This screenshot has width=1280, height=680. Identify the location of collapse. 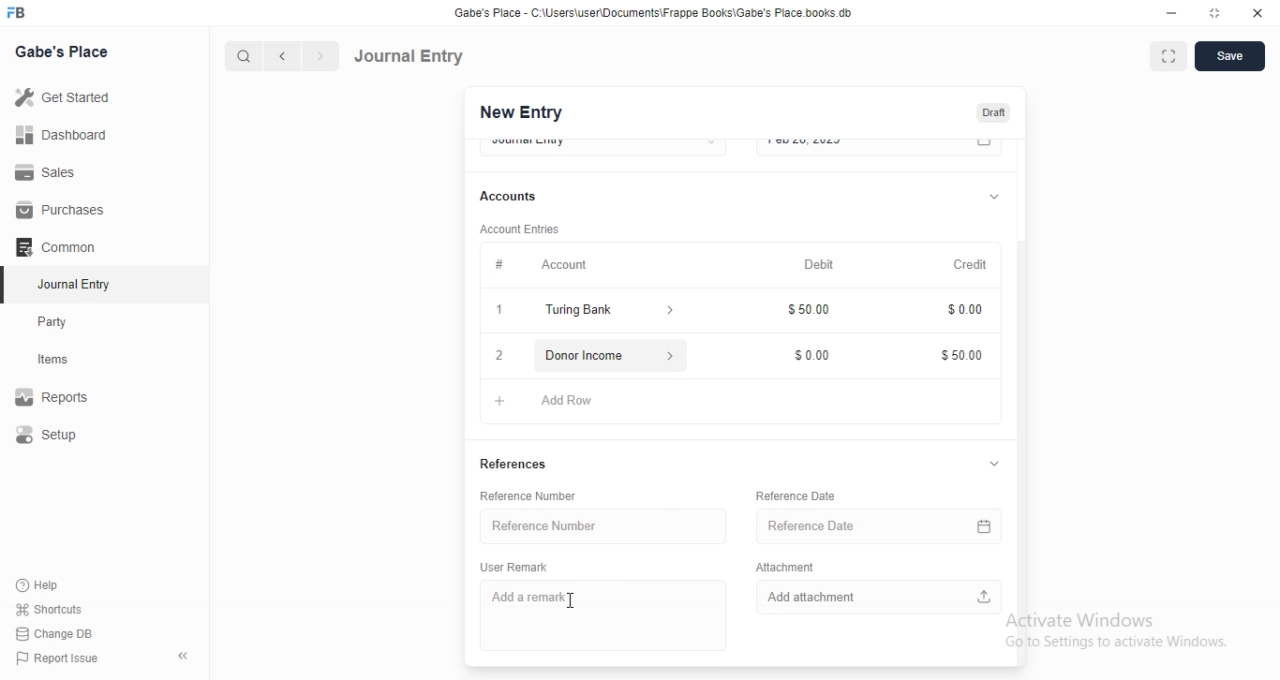
(994, 465).